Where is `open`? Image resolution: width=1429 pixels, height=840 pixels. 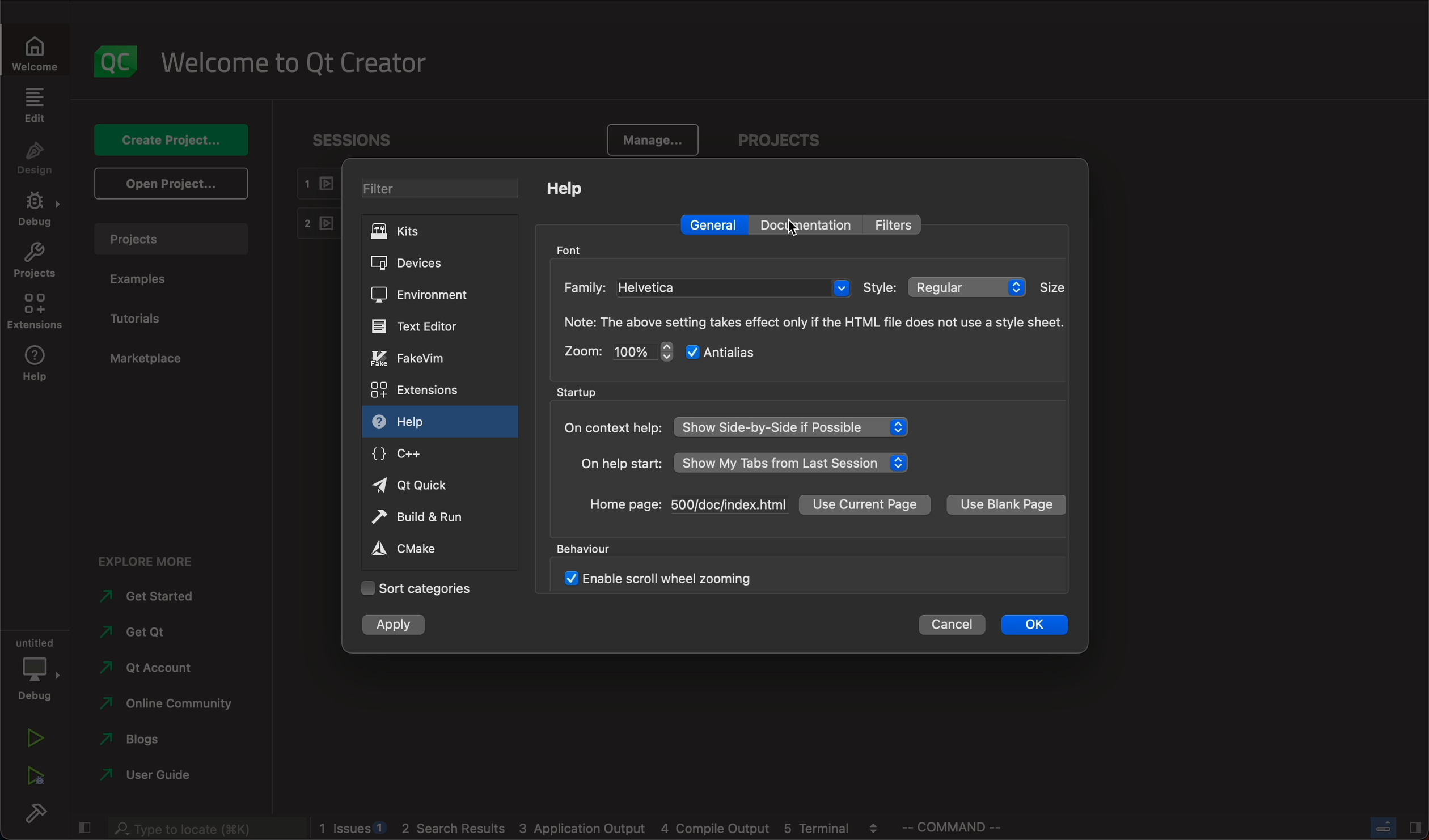 open is located at coordinates (174, 182).